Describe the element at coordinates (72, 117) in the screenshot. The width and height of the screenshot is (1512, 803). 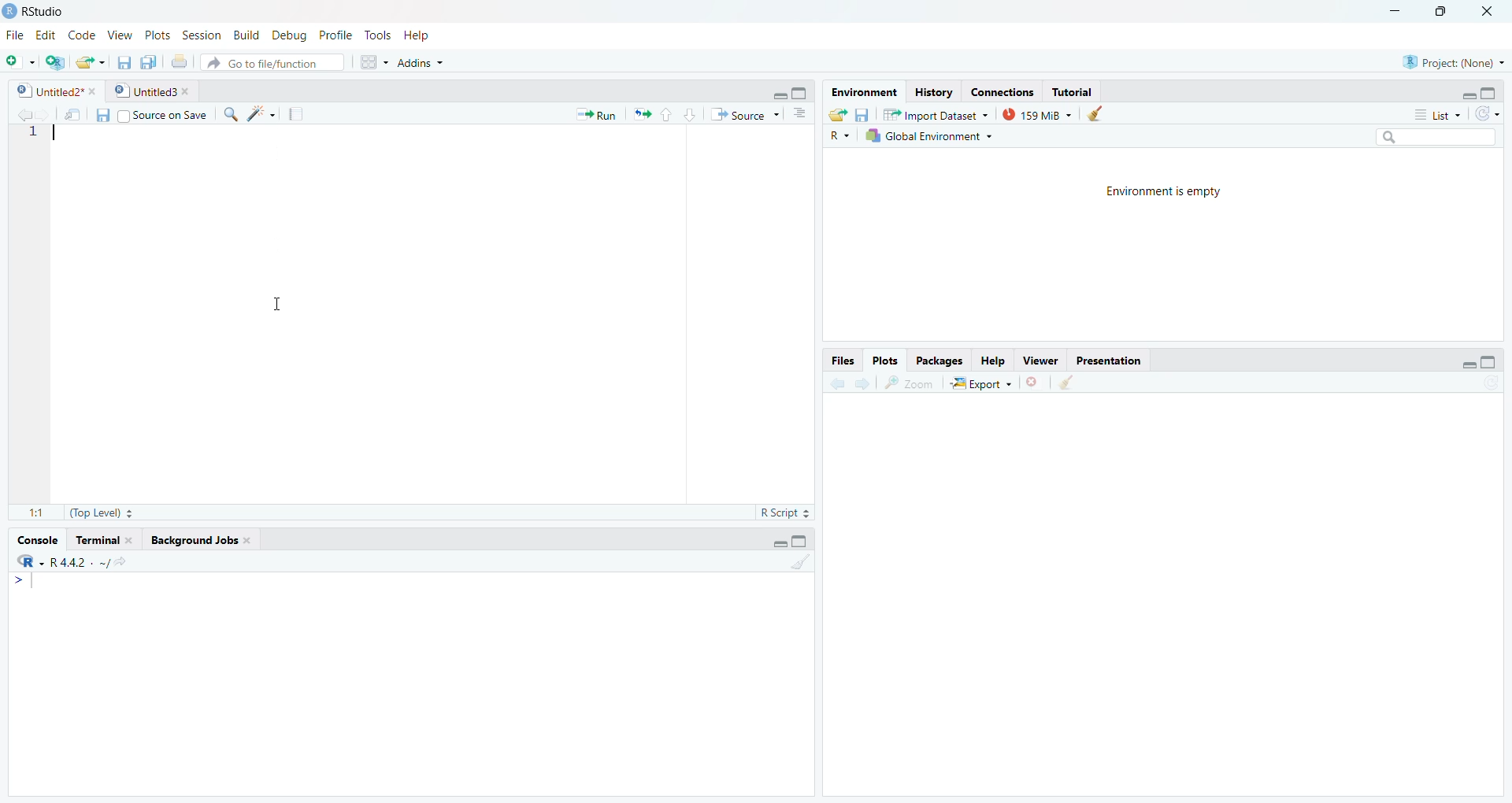
I see `Show in new window` at that location.